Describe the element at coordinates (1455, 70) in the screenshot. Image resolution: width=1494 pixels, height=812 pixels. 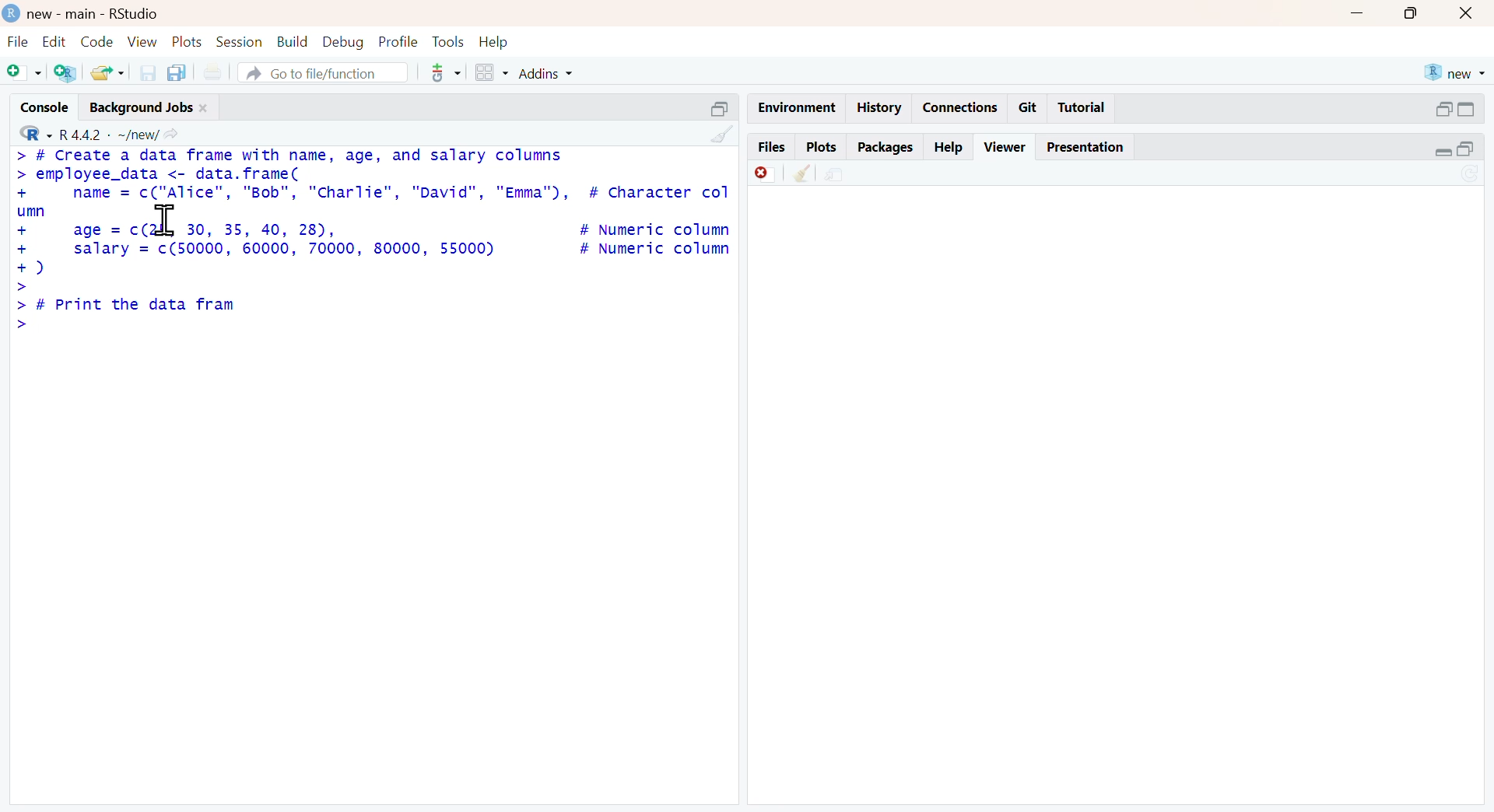
I see `new R project` at that location.